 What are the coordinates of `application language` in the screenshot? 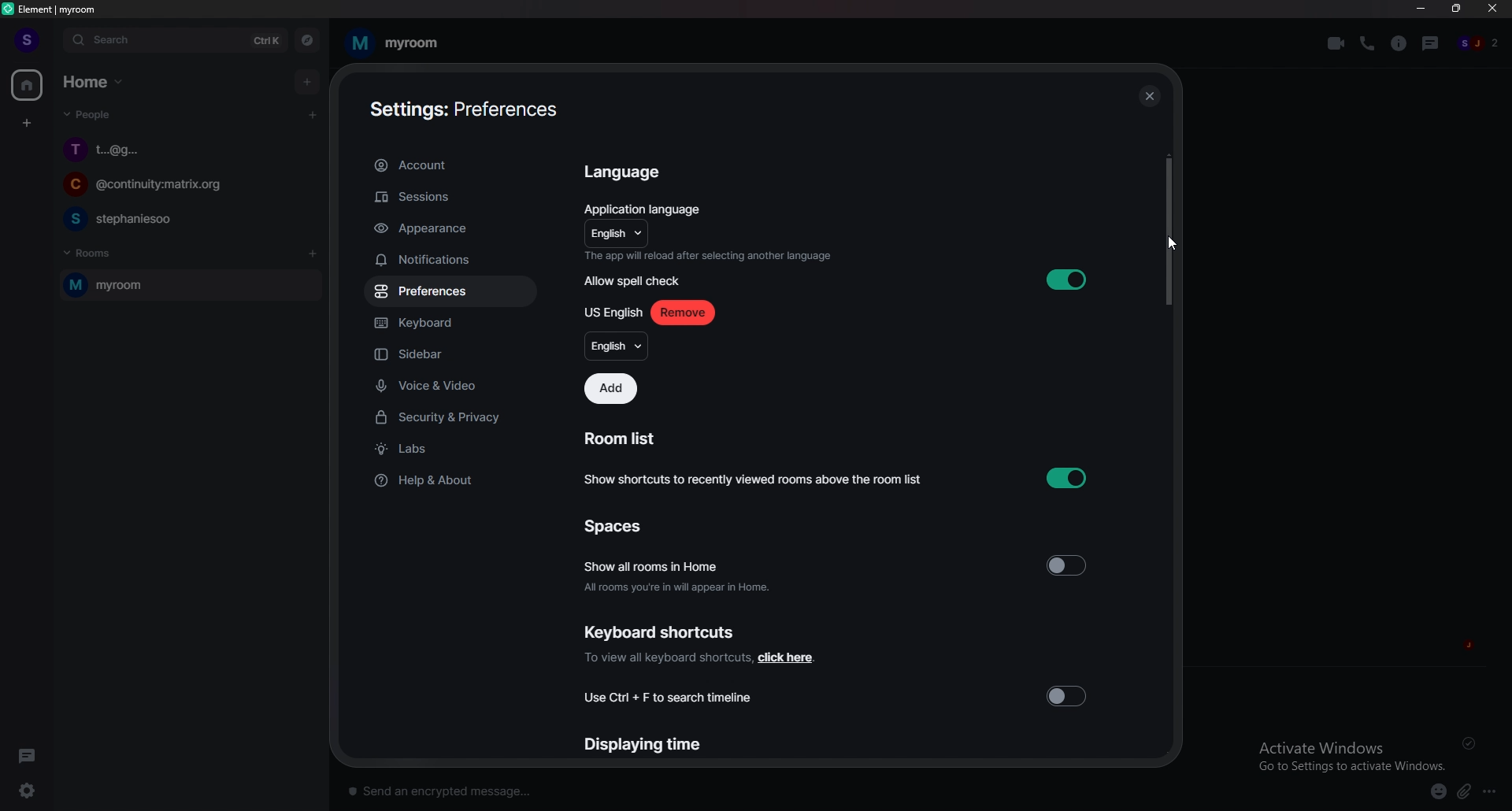 It's located at (645, 208).